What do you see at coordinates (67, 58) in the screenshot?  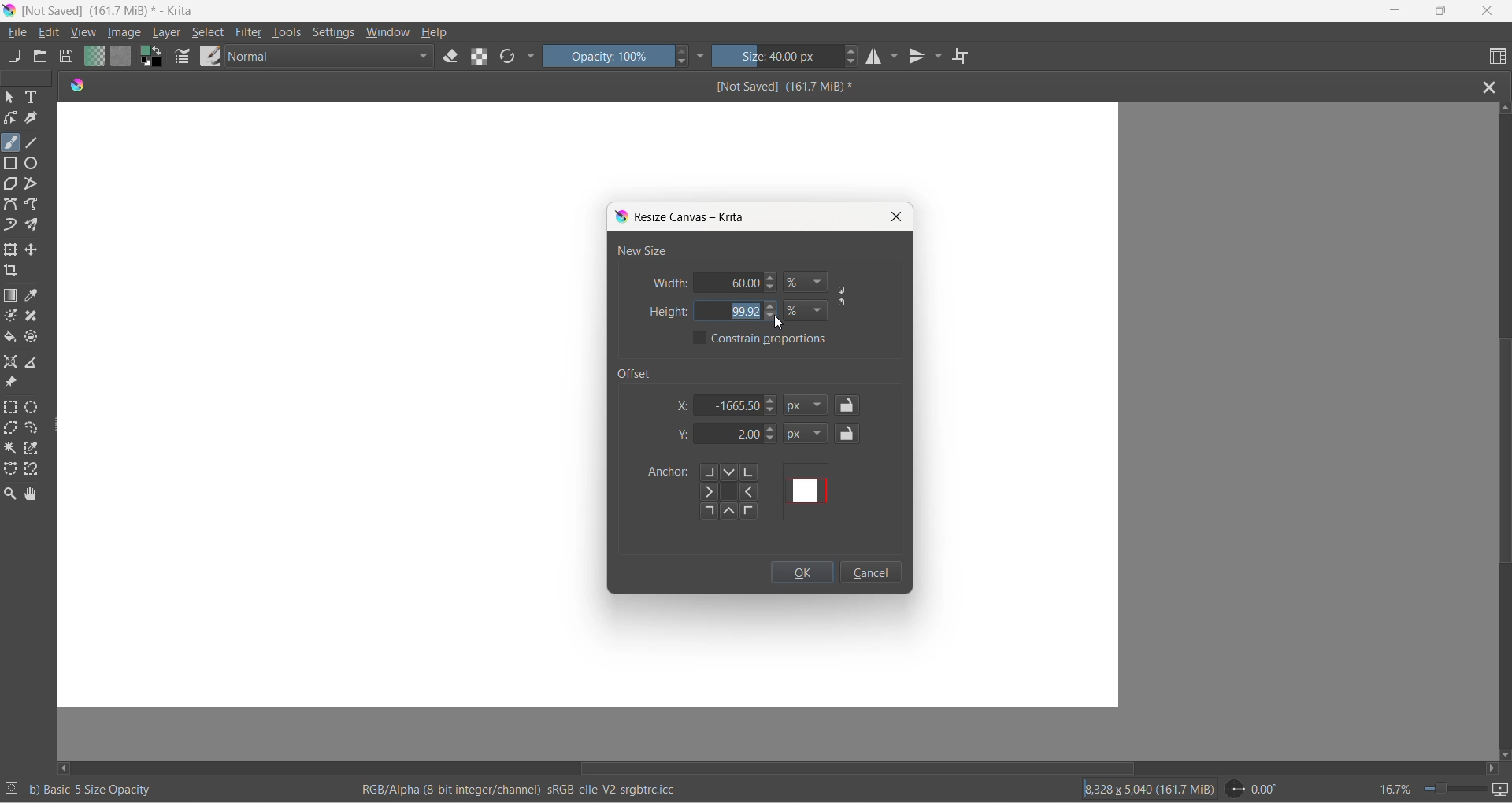 I see `save` at bounding box center [67, 58].